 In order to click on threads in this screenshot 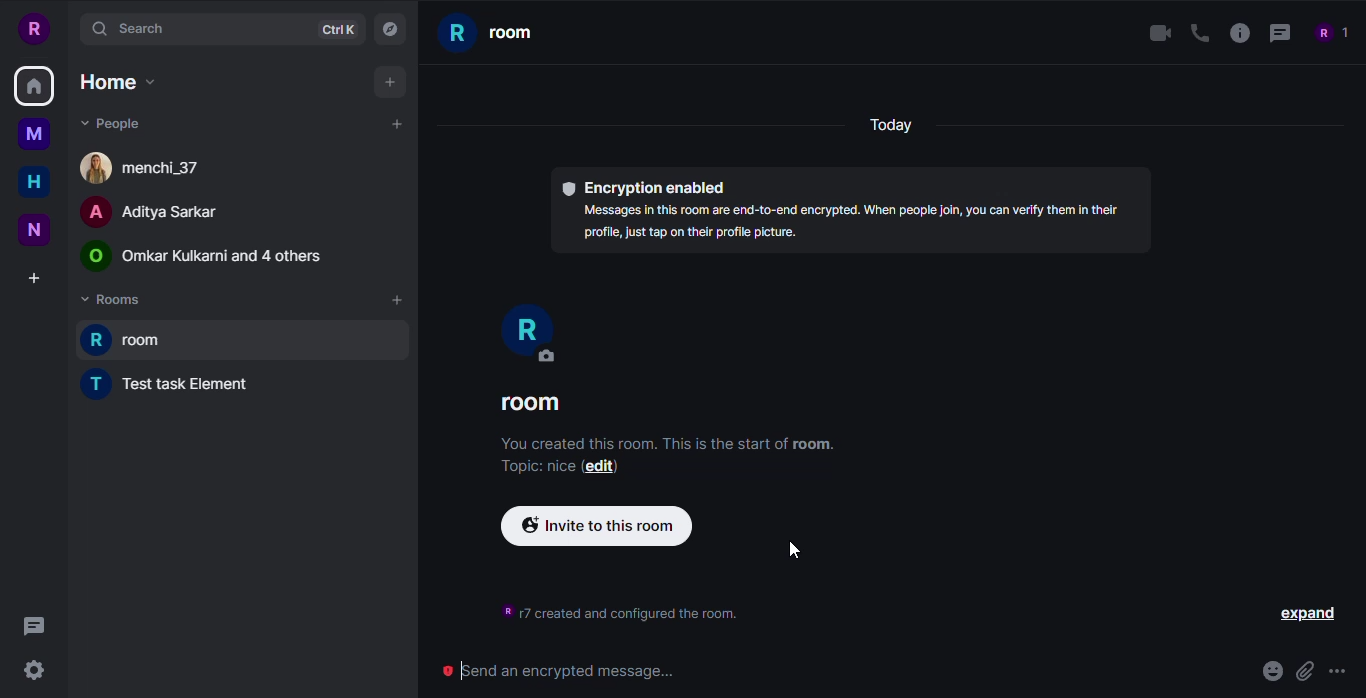, I will do `click(1277, 32)`.